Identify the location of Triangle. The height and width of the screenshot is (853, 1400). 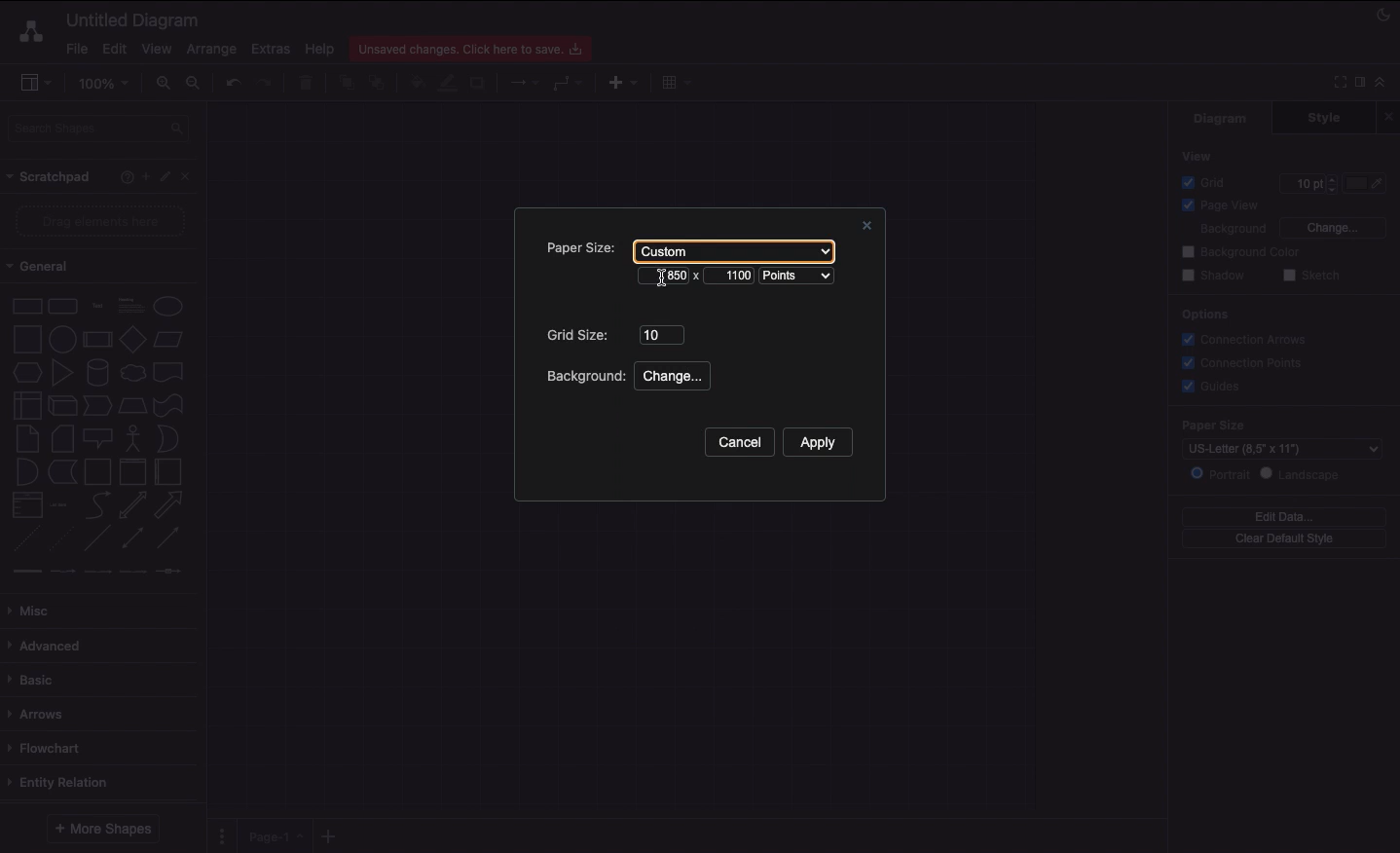
(62, 372).